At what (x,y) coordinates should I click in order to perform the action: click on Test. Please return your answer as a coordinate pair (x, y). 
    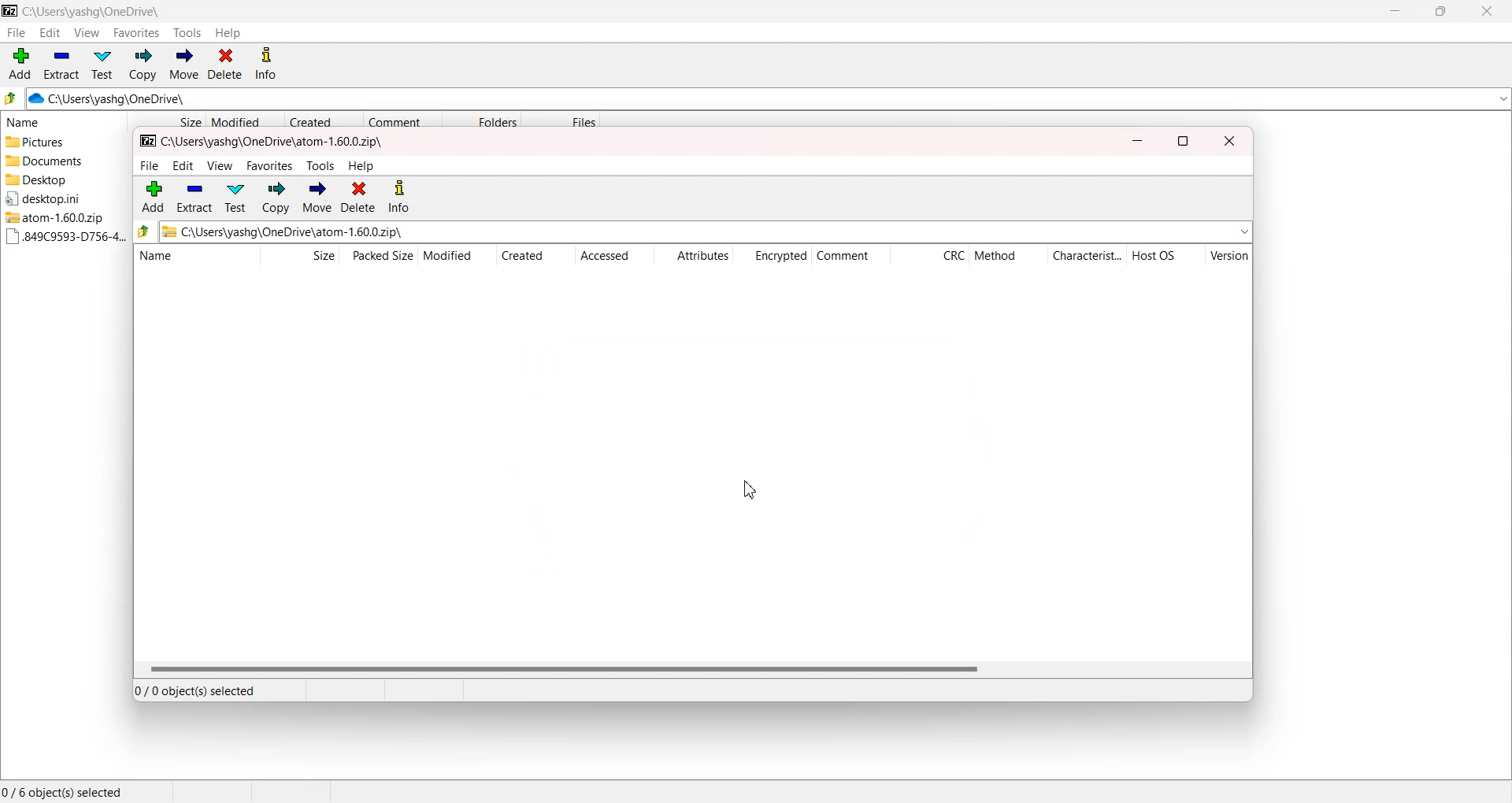
    Looking at the image, I should click on (102, 65).